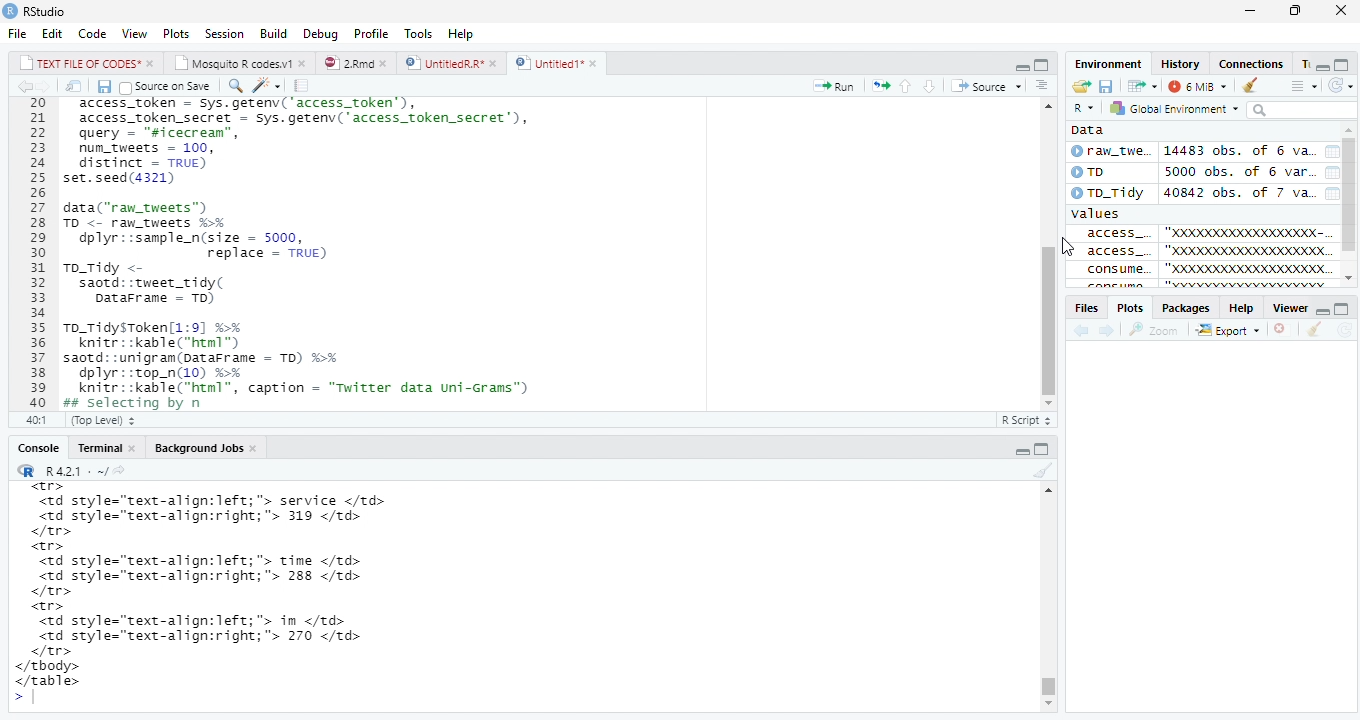 The height and width of the screenshot is (720, 1360). Describe the element at coordinates (1344, 12) in the screenshot. I see `close` at that location.